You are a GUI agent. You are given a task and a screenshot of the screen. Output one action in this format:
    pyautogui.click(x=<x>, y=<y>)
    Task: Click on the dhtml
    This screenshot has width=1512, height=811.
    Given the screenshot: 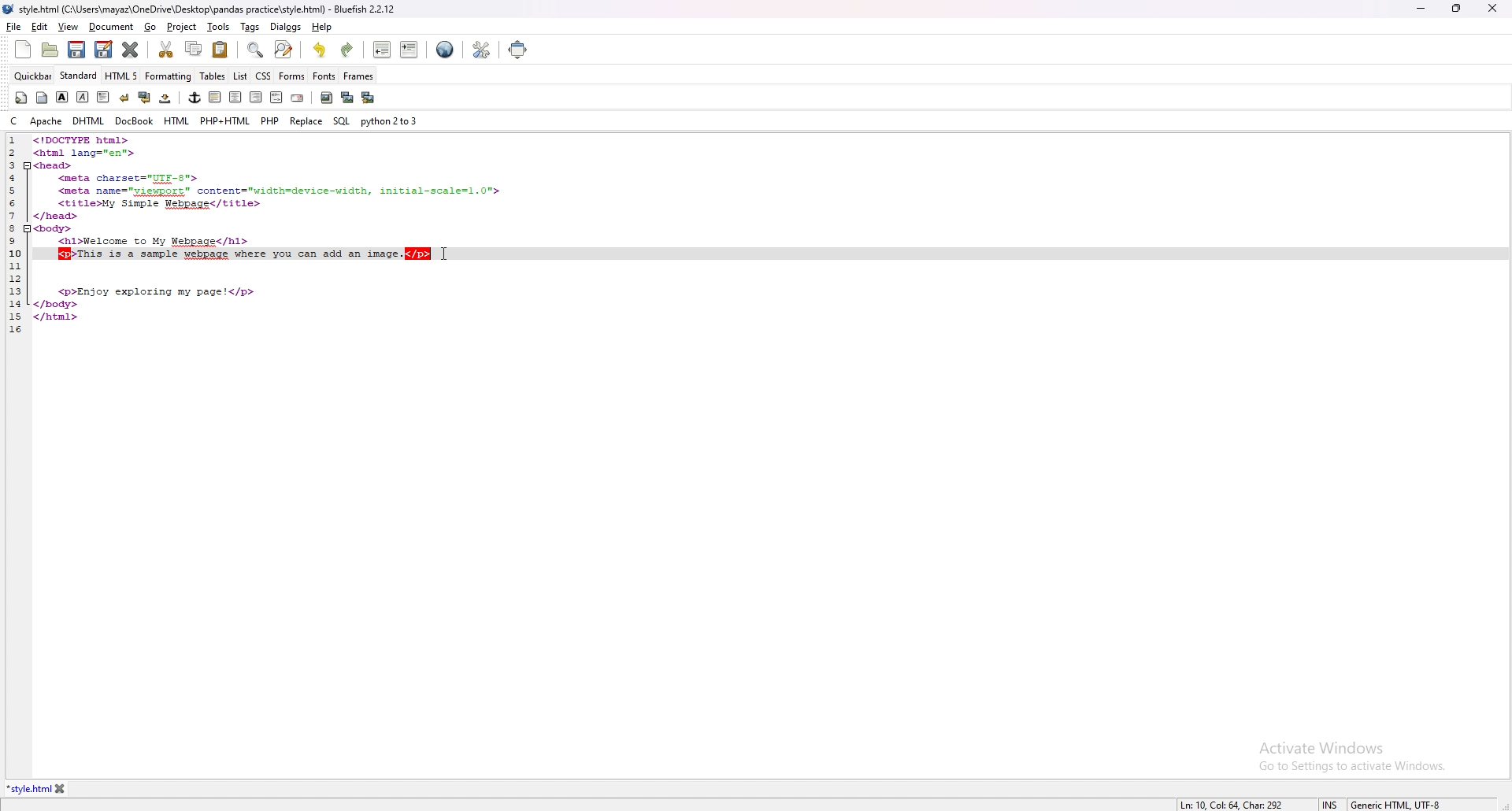 What is the action you would take?
    pyautogui.click(x=89, y=121)
    